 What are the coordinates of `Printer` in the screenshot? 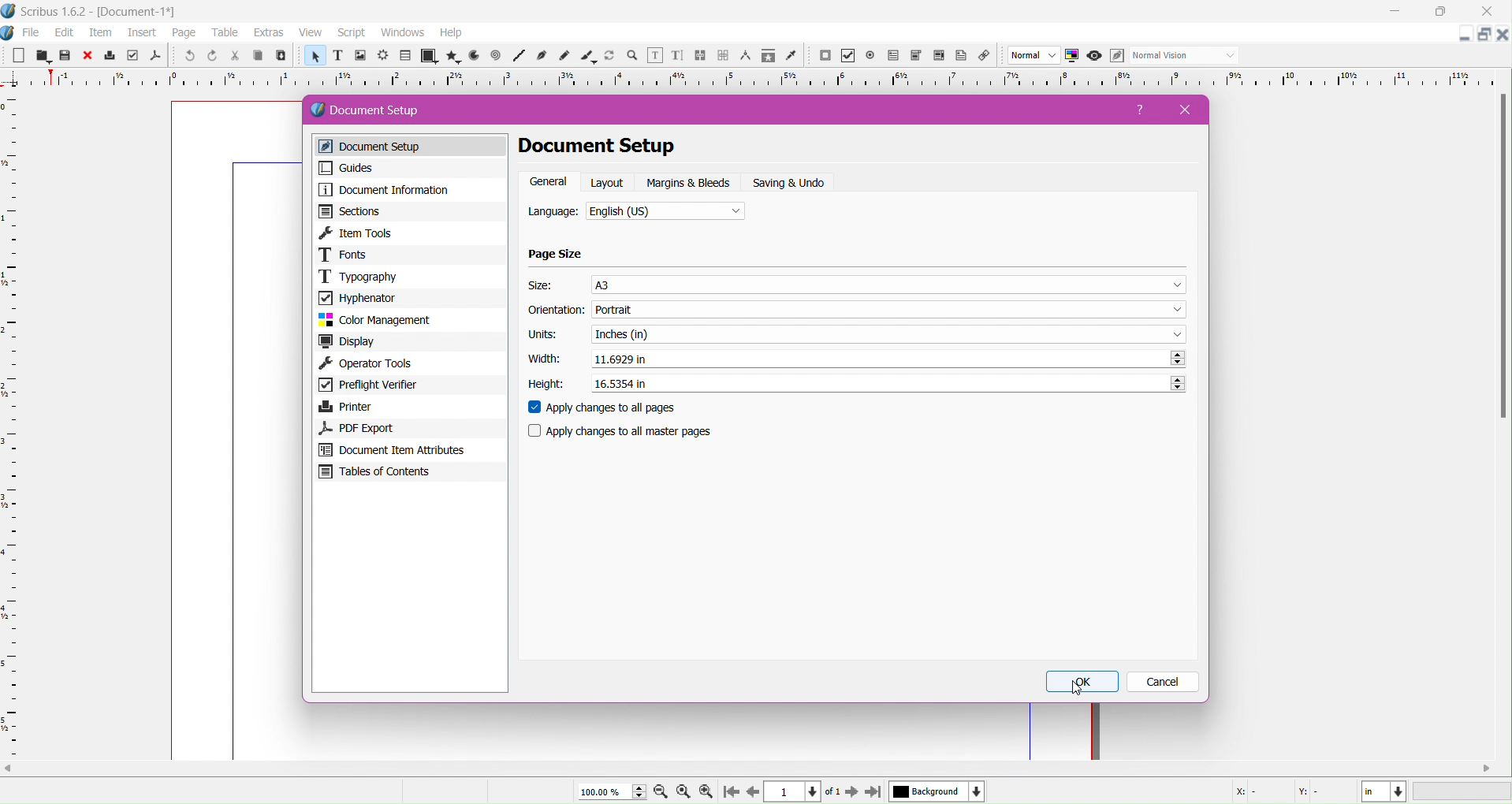 It's located at (409, 407).